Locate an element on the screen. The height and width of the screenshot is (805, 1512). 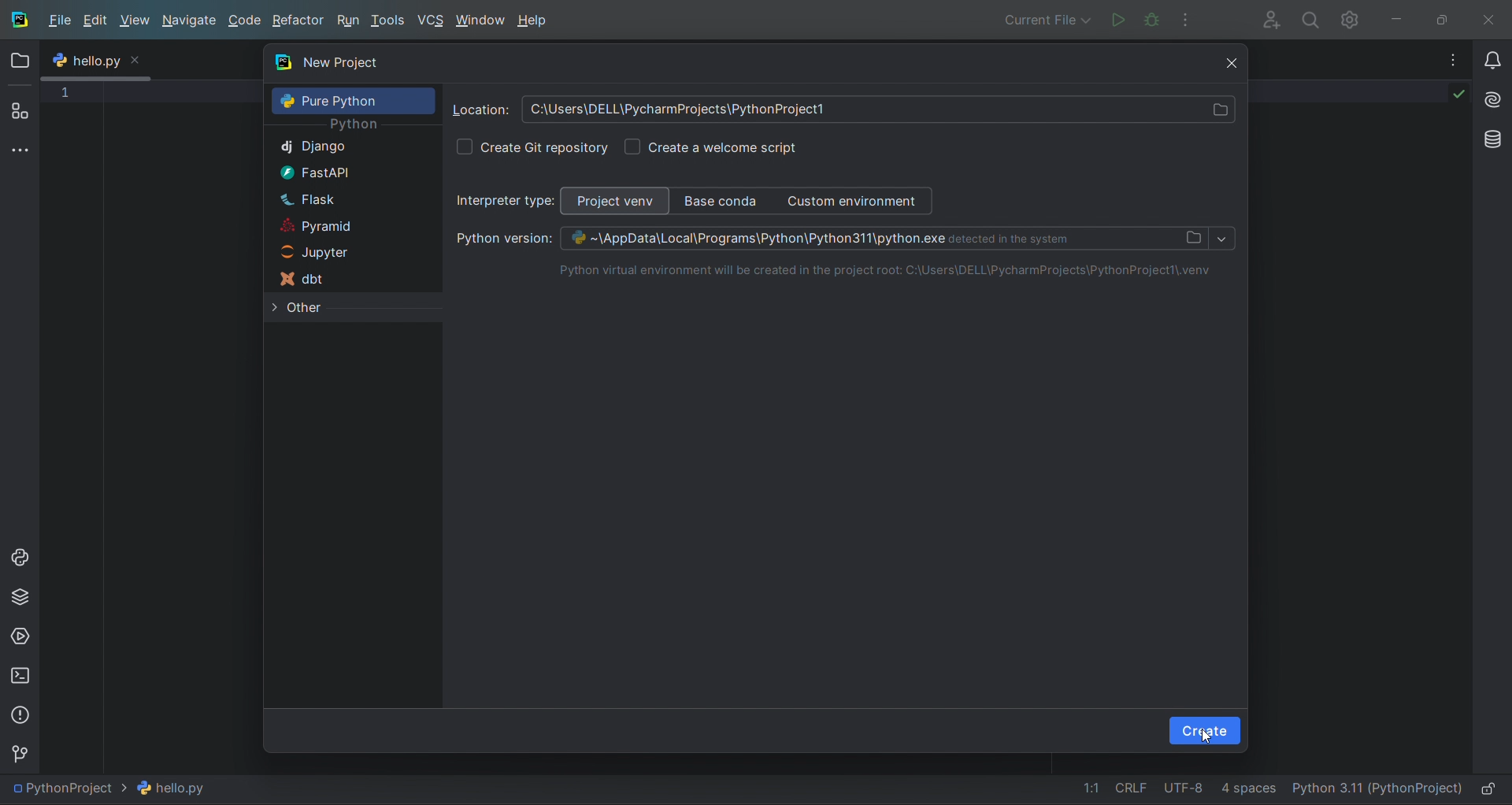
base conda is located at coordinates (721, 199).